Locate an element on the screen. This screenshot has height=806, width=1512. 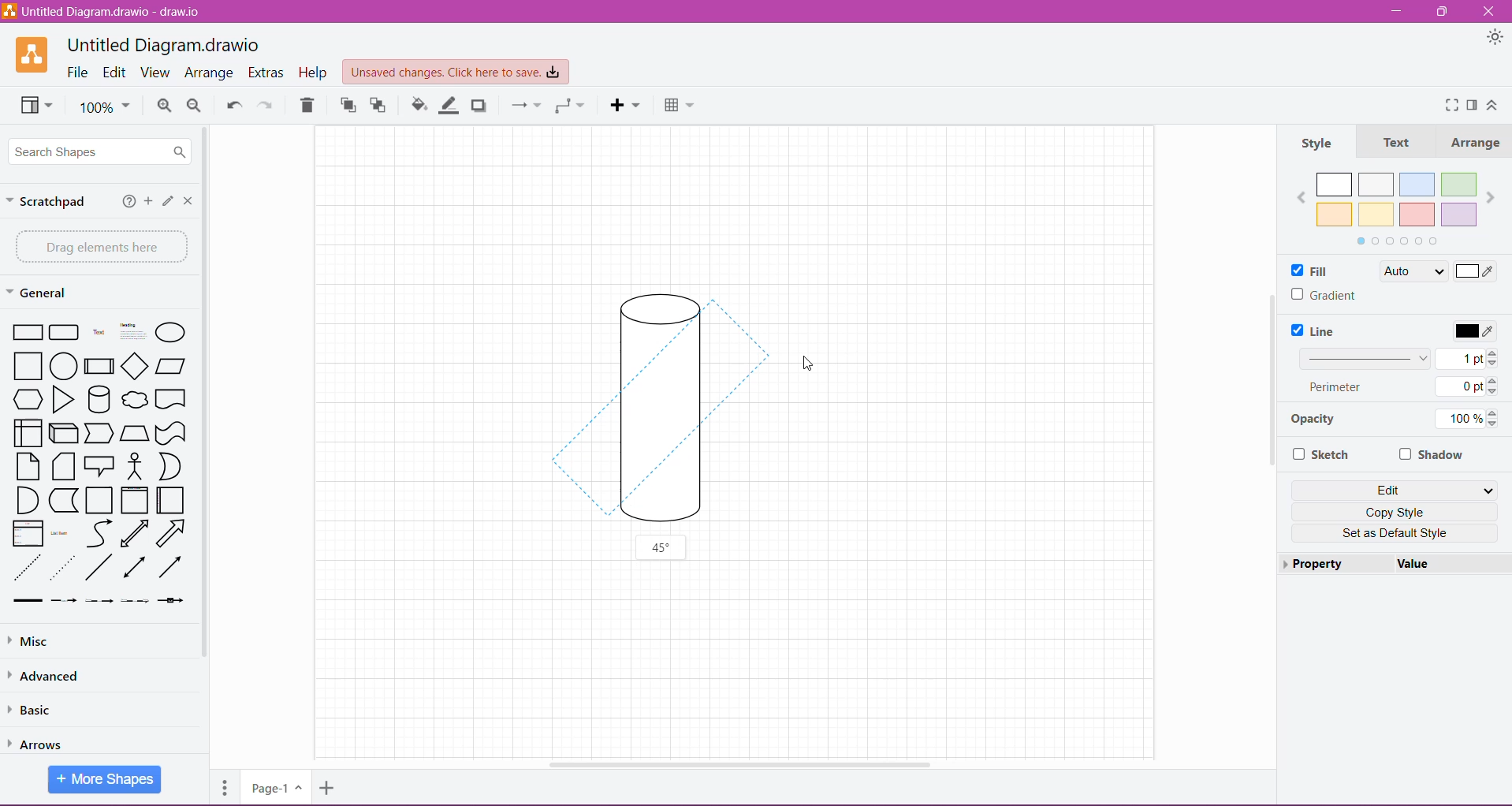
Help is located at coordinates (125, 202).